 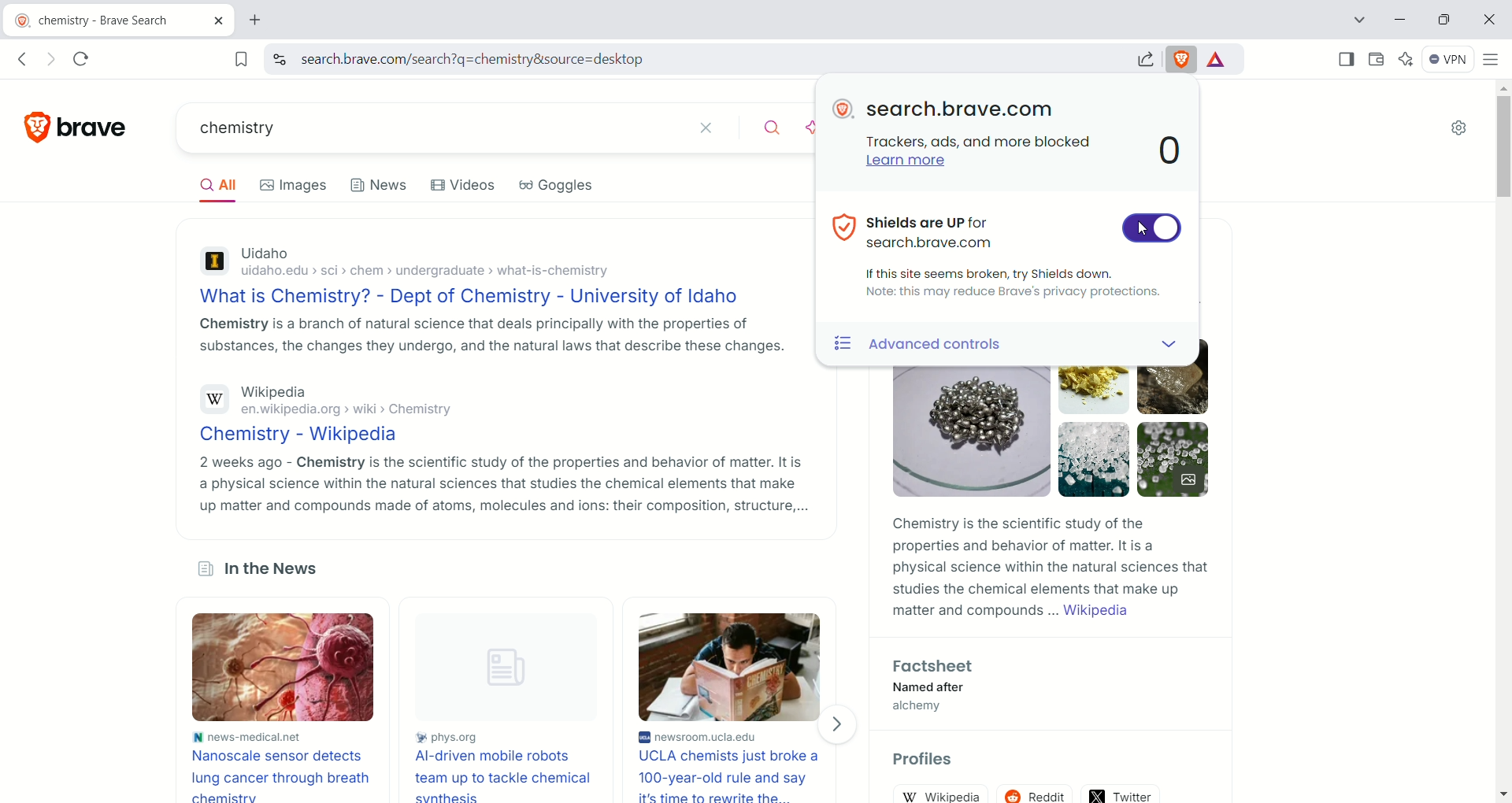 I want to click on leo AI, so click(x=811, y=128).